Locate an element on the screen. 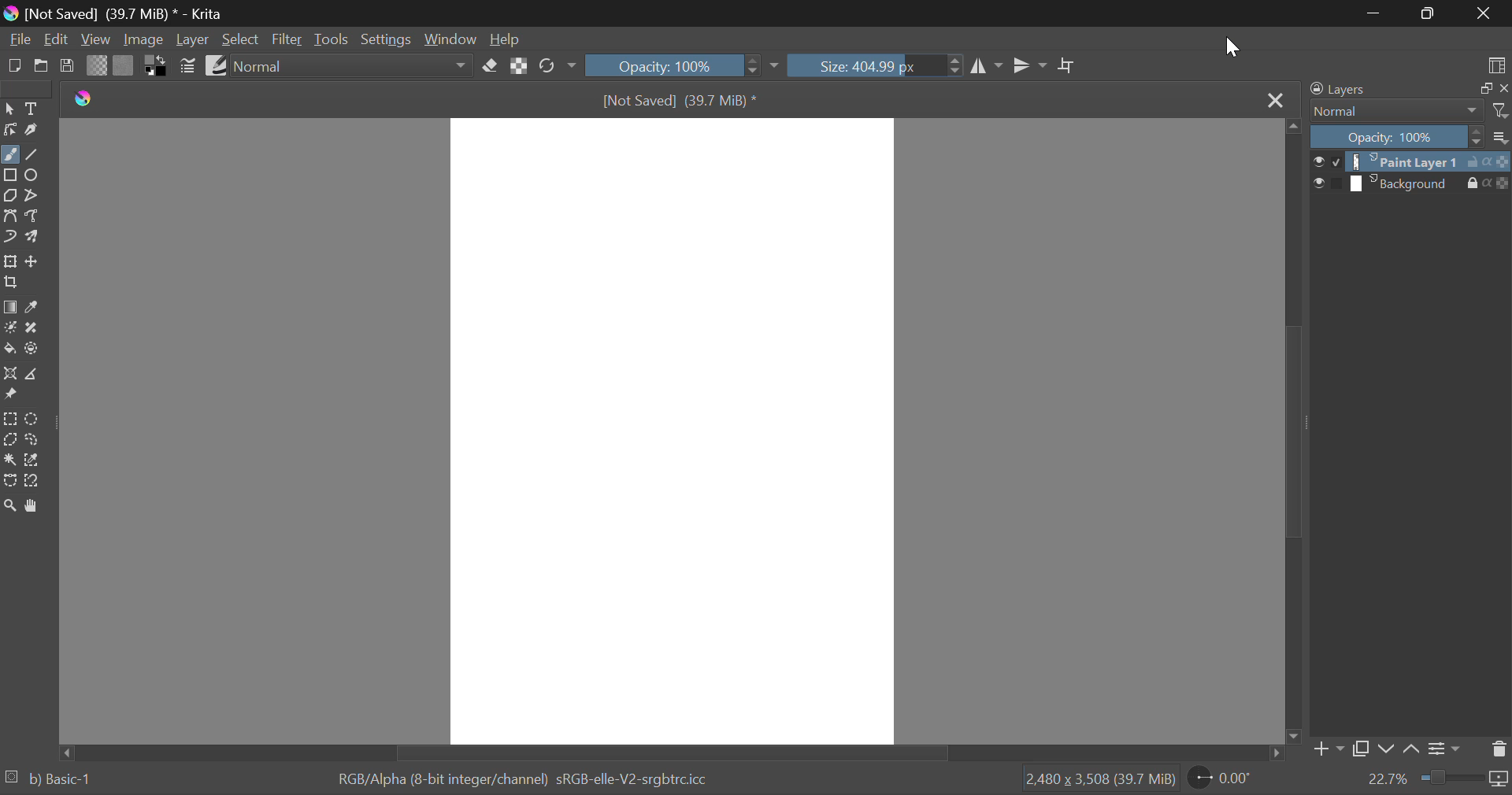  Background is located at coordinates (1411, 183).